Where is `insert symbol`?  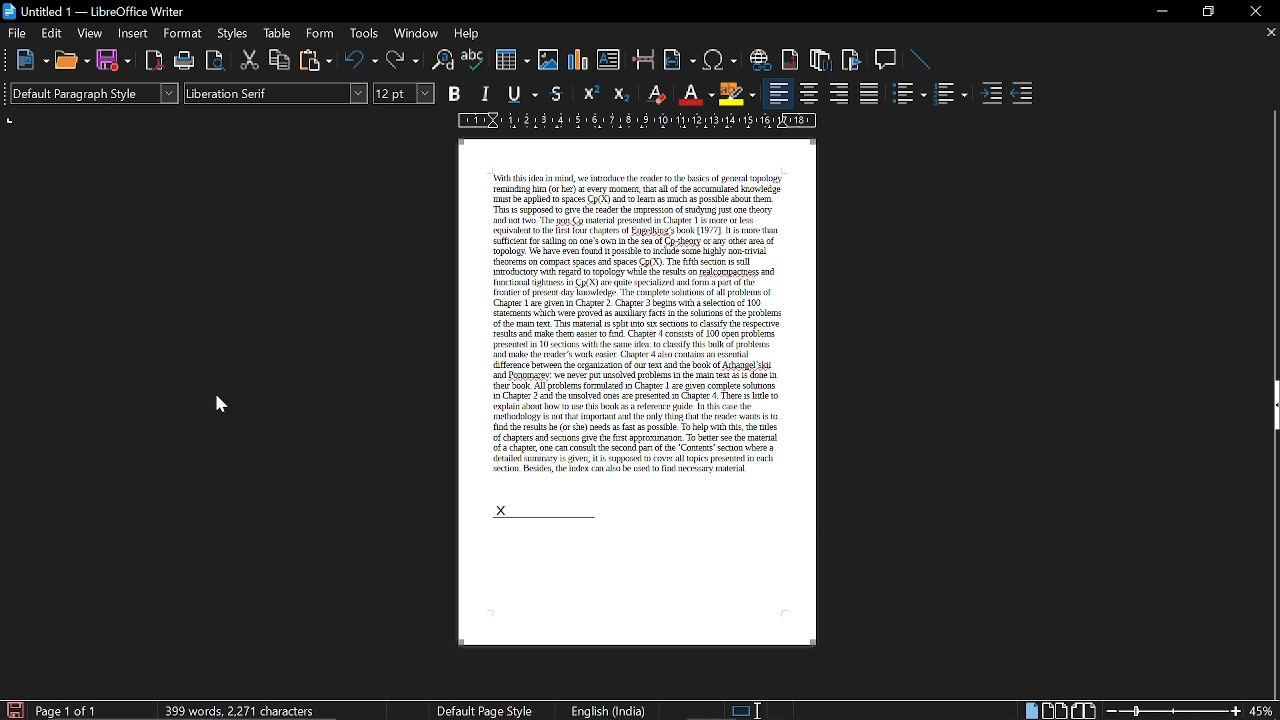
insert symbol is located at coordinates (718, 60).